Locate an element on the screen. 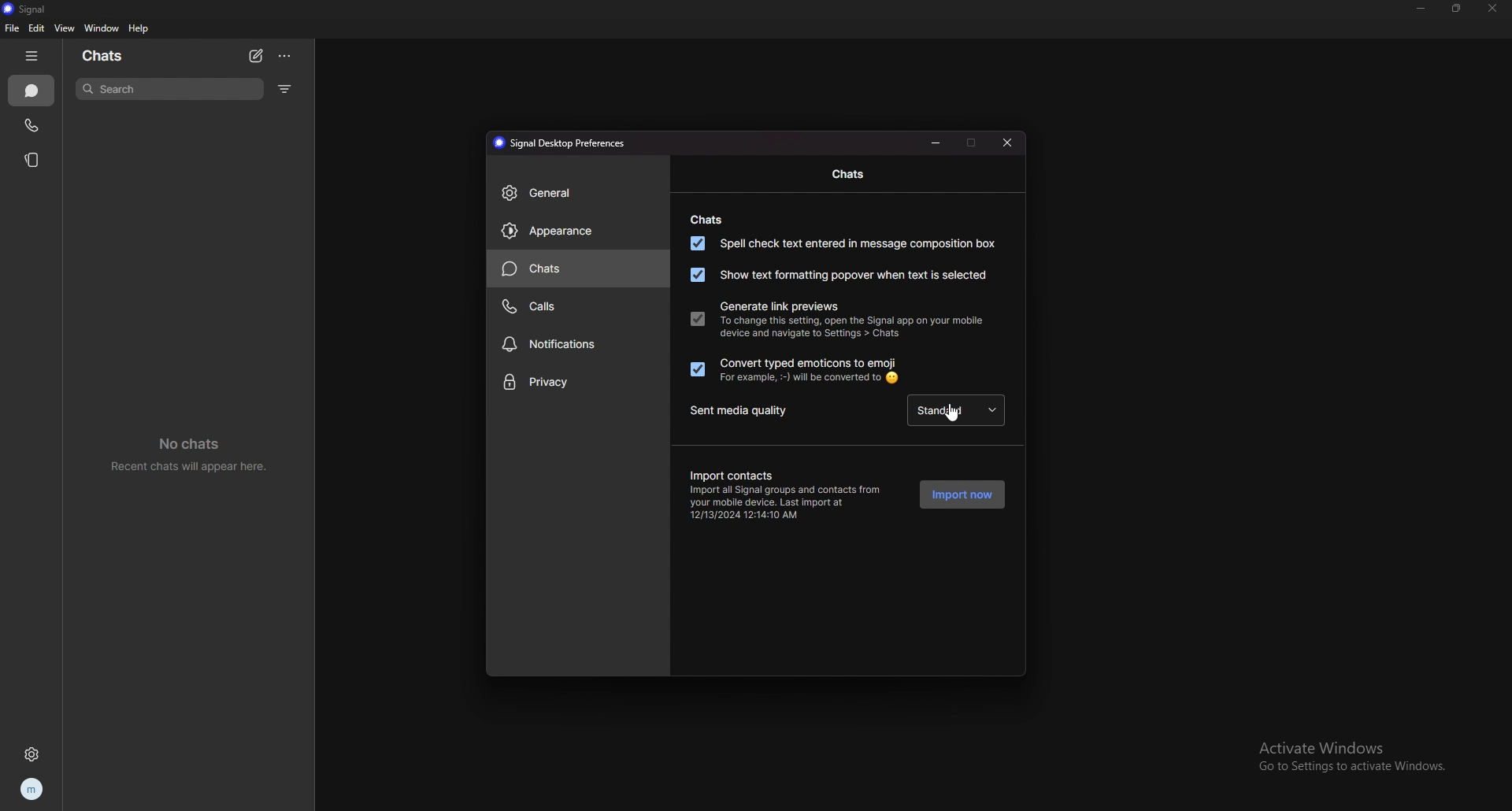 This screenshot has width=1512, height=811. close is located at coordinates (1009, 142).